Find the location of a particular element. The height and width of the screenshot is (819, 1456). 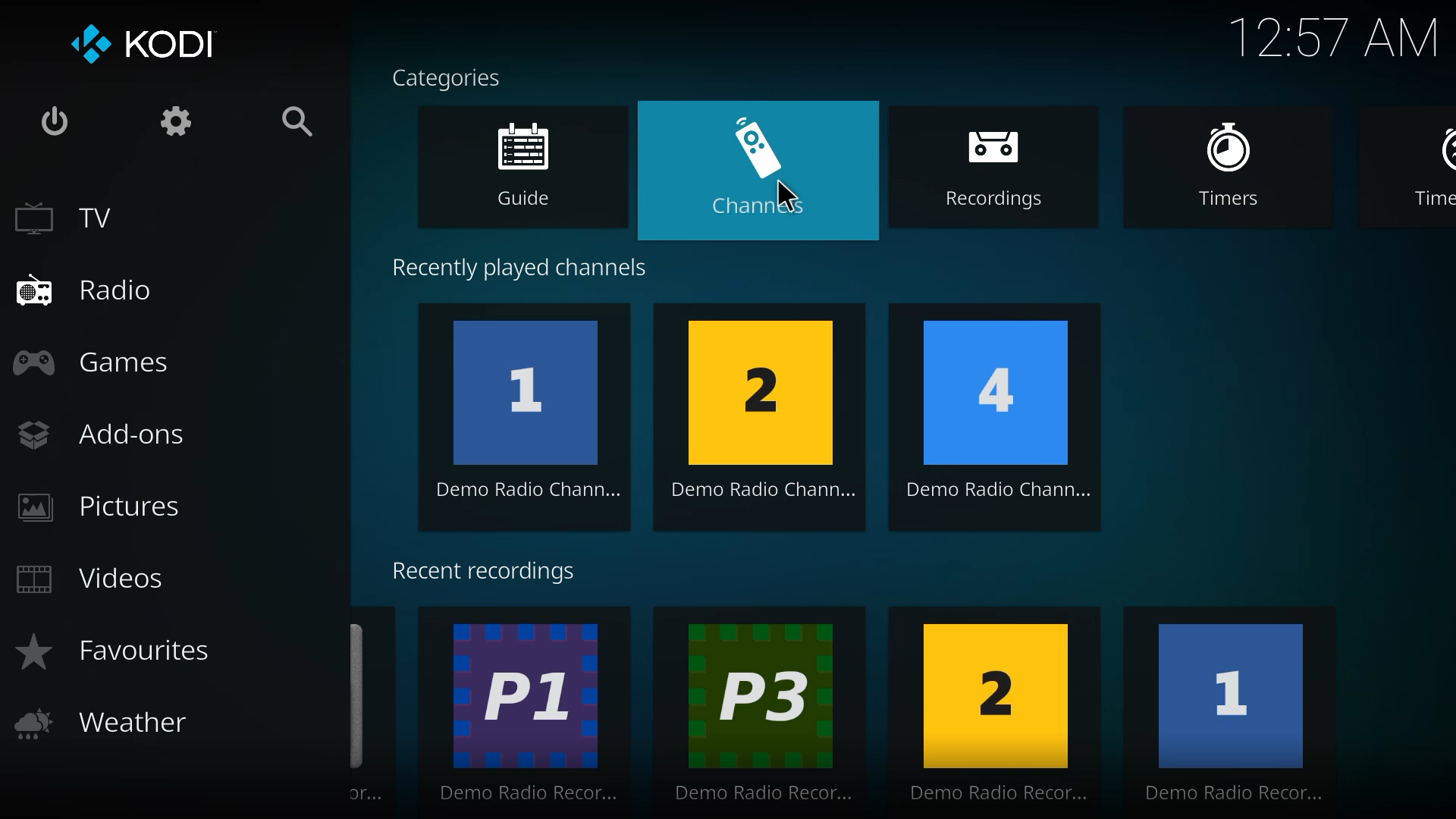

kodi is located at coordinates (140, 42).